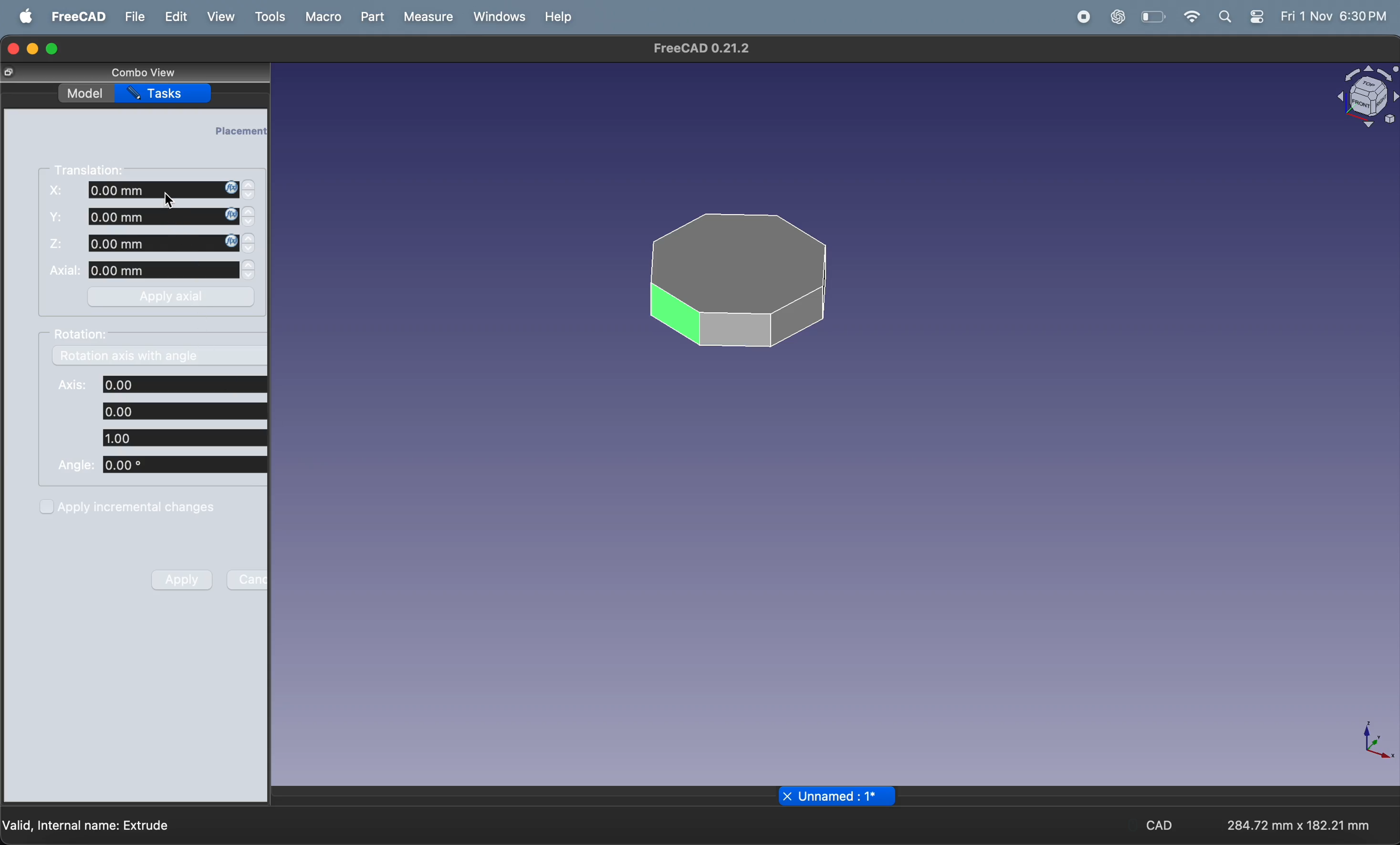 This screenshot has width=1400, height=845. I want to click on Apply axial, so click(174, 296).